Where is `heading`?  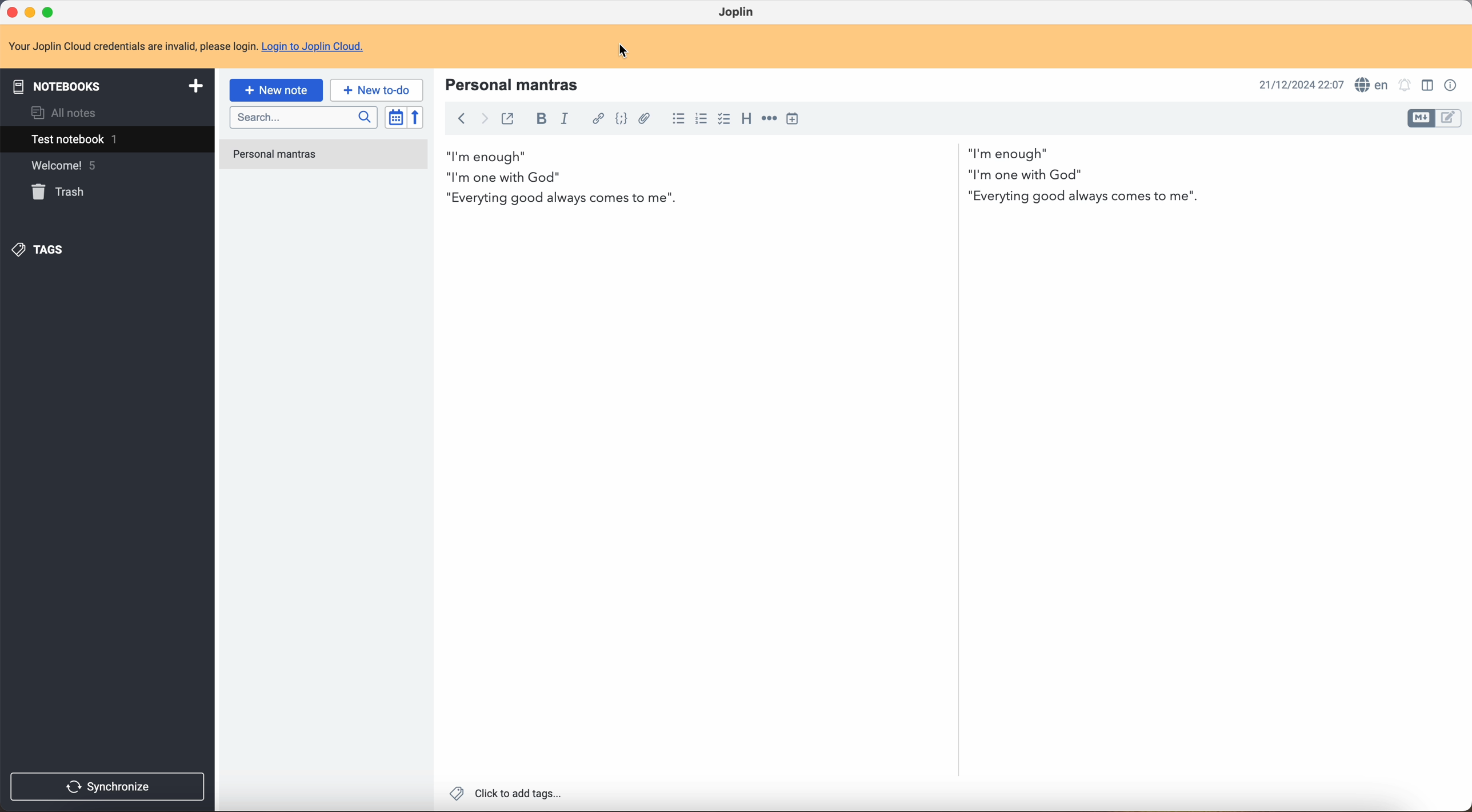
heading is located at coordinates (746, 121).